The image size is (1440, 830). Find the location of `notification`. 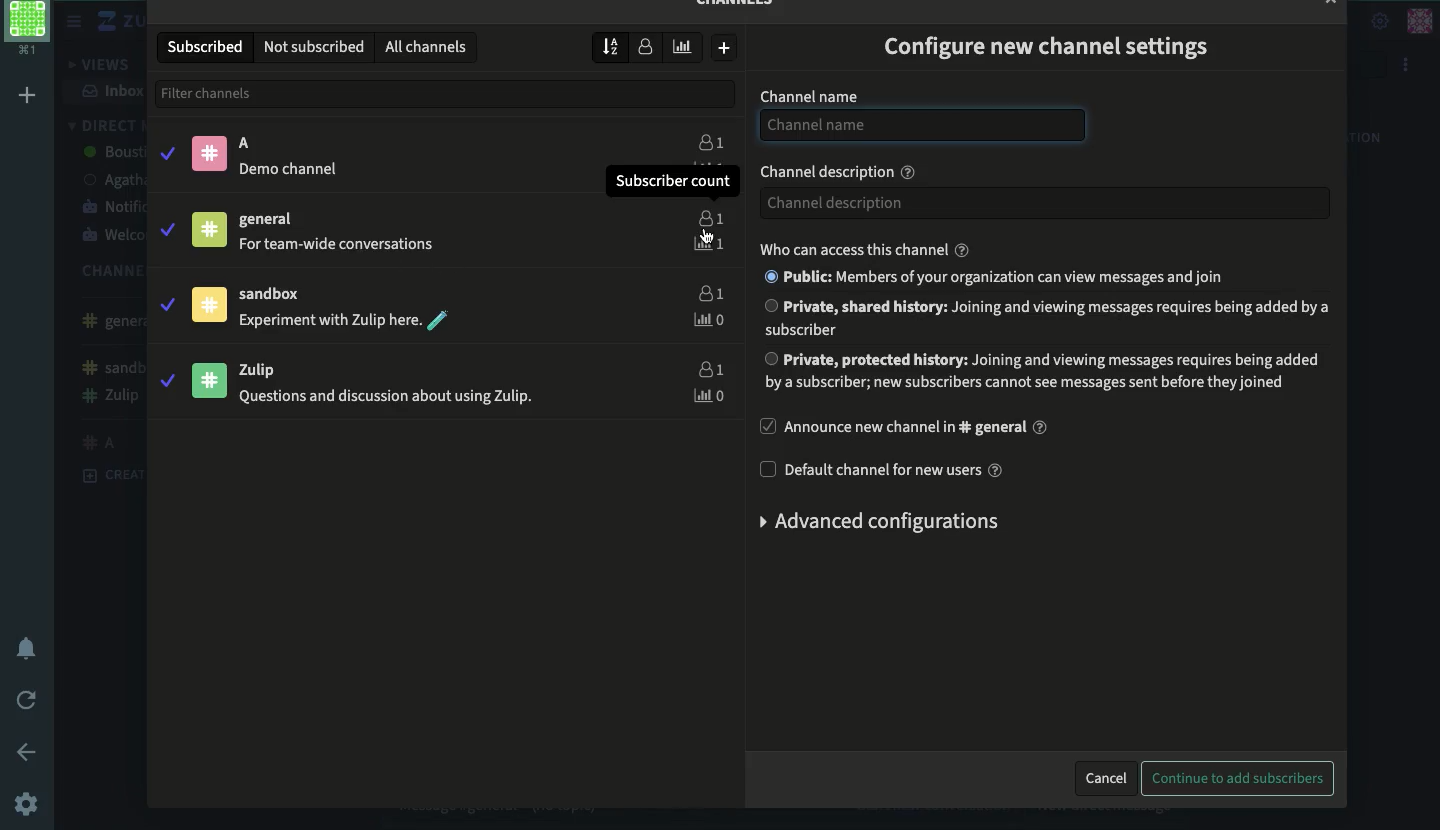

notification is located at coordinates (34, 652).